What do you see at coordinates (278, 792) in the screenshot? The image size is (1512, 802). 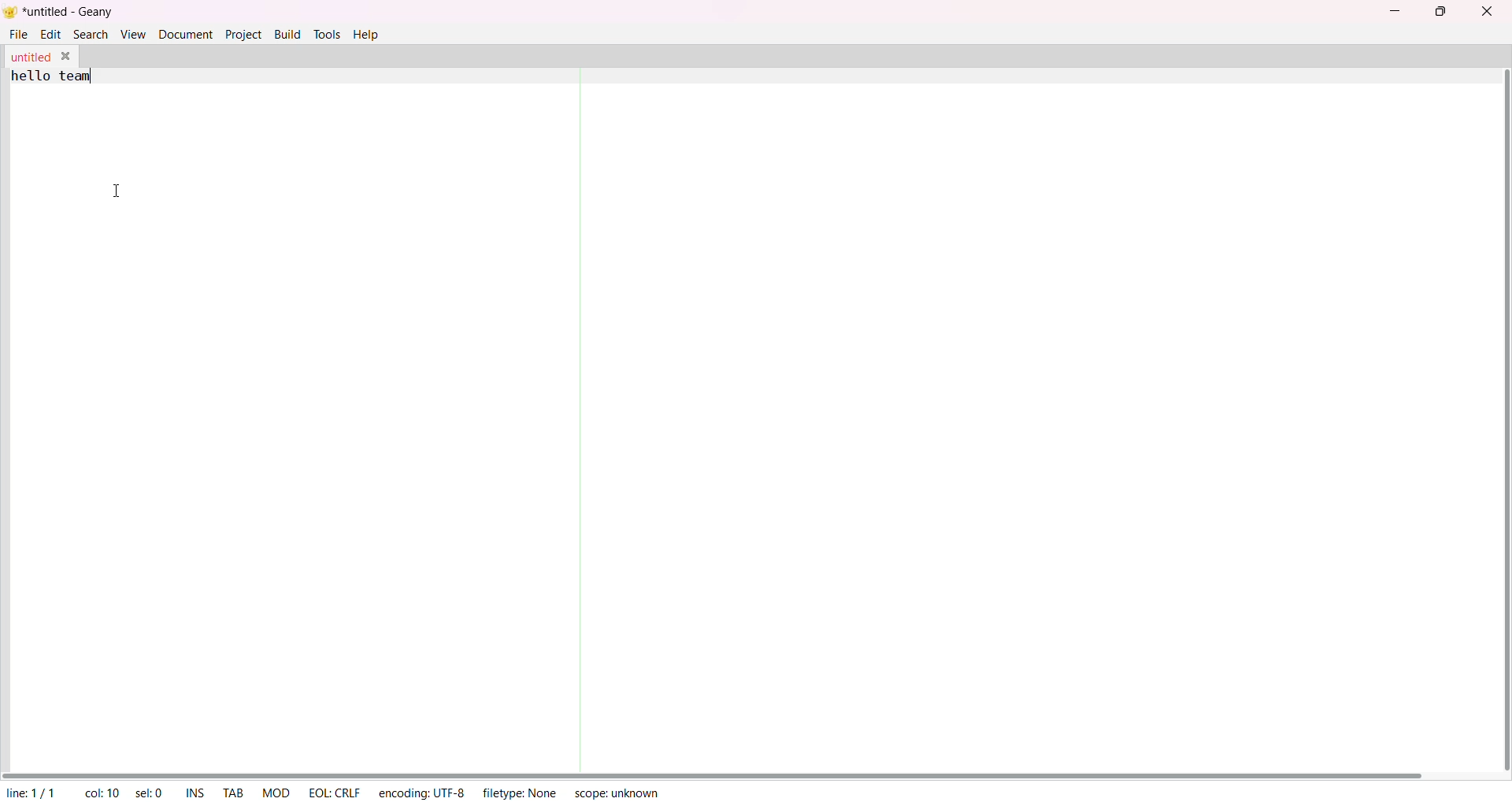 I see `MOD` at bounding box center [278, 792].